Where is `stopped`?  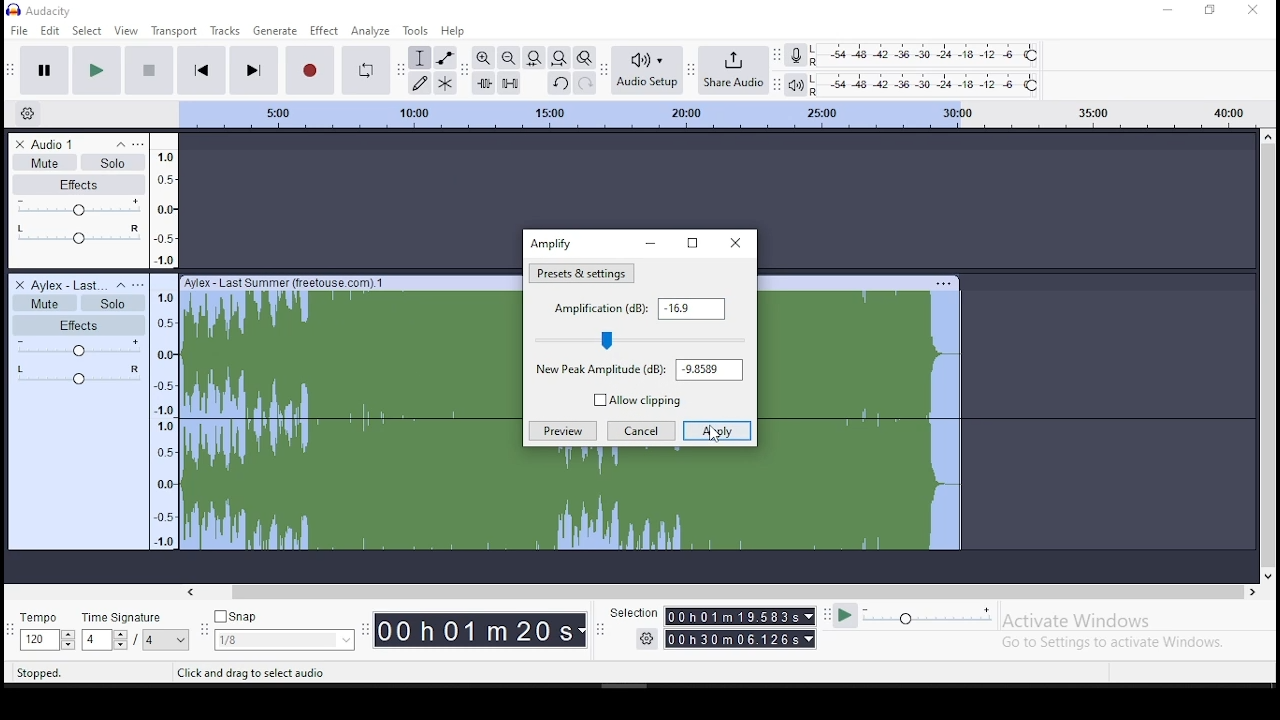 stopped is located at coordinates (40, 671).